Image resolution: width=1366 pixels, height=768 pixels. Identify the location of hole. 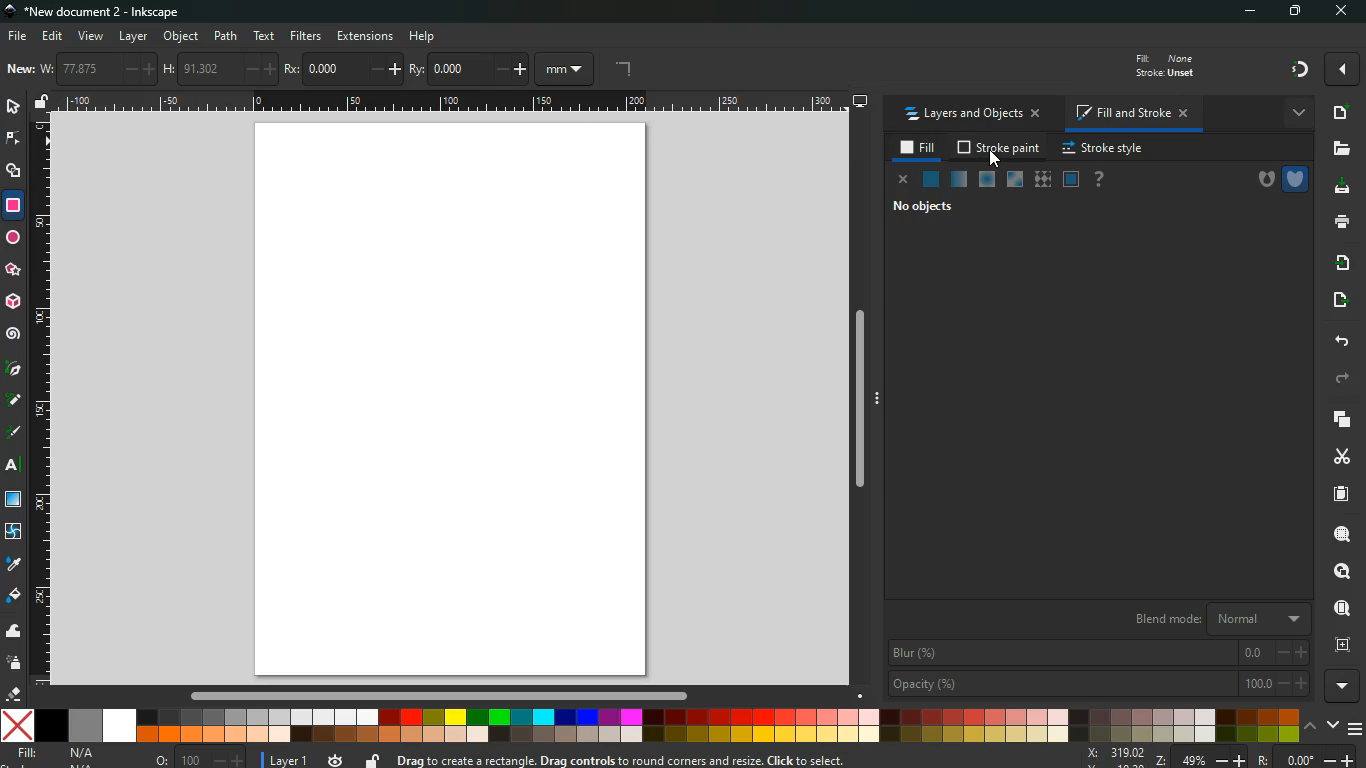
(1258, 180).